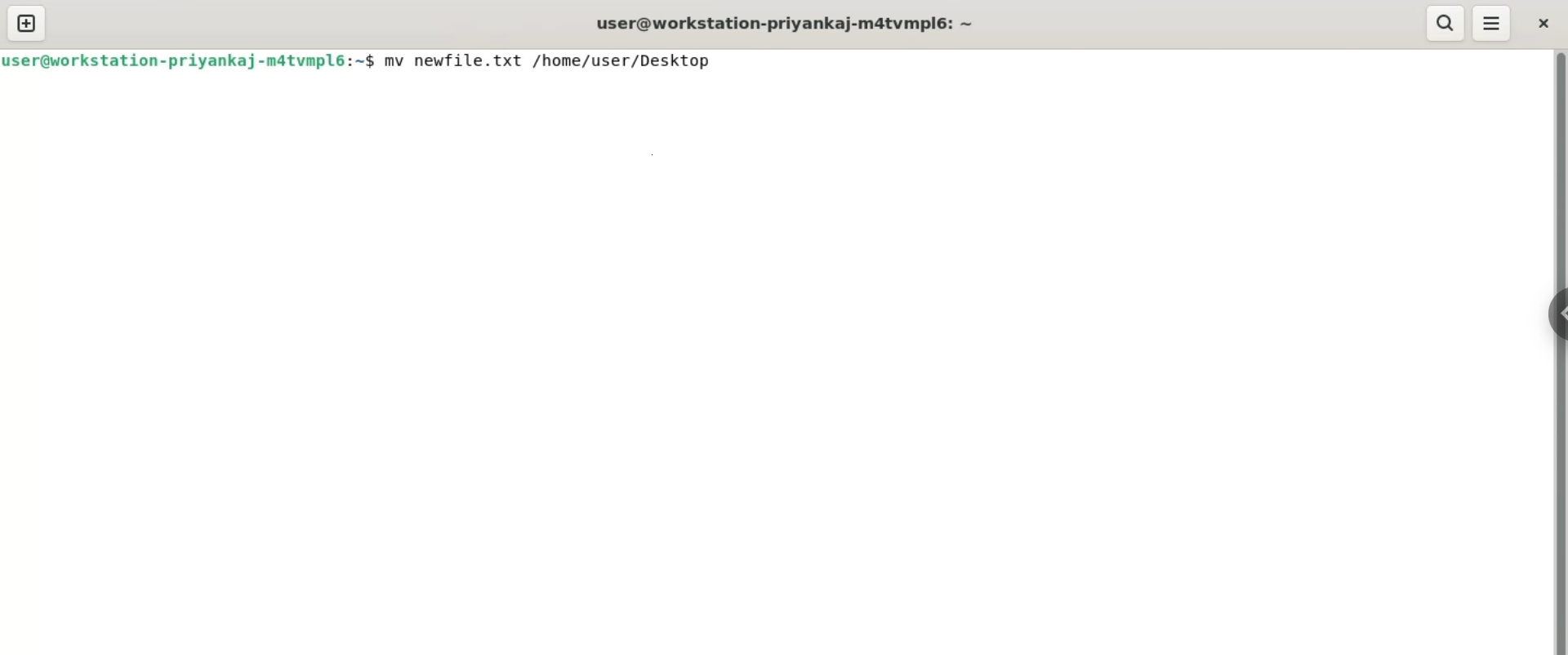  What do you see at coordinates (1441, 24) in the screenshot?
I see `search` at bounding box center [1441, 24].